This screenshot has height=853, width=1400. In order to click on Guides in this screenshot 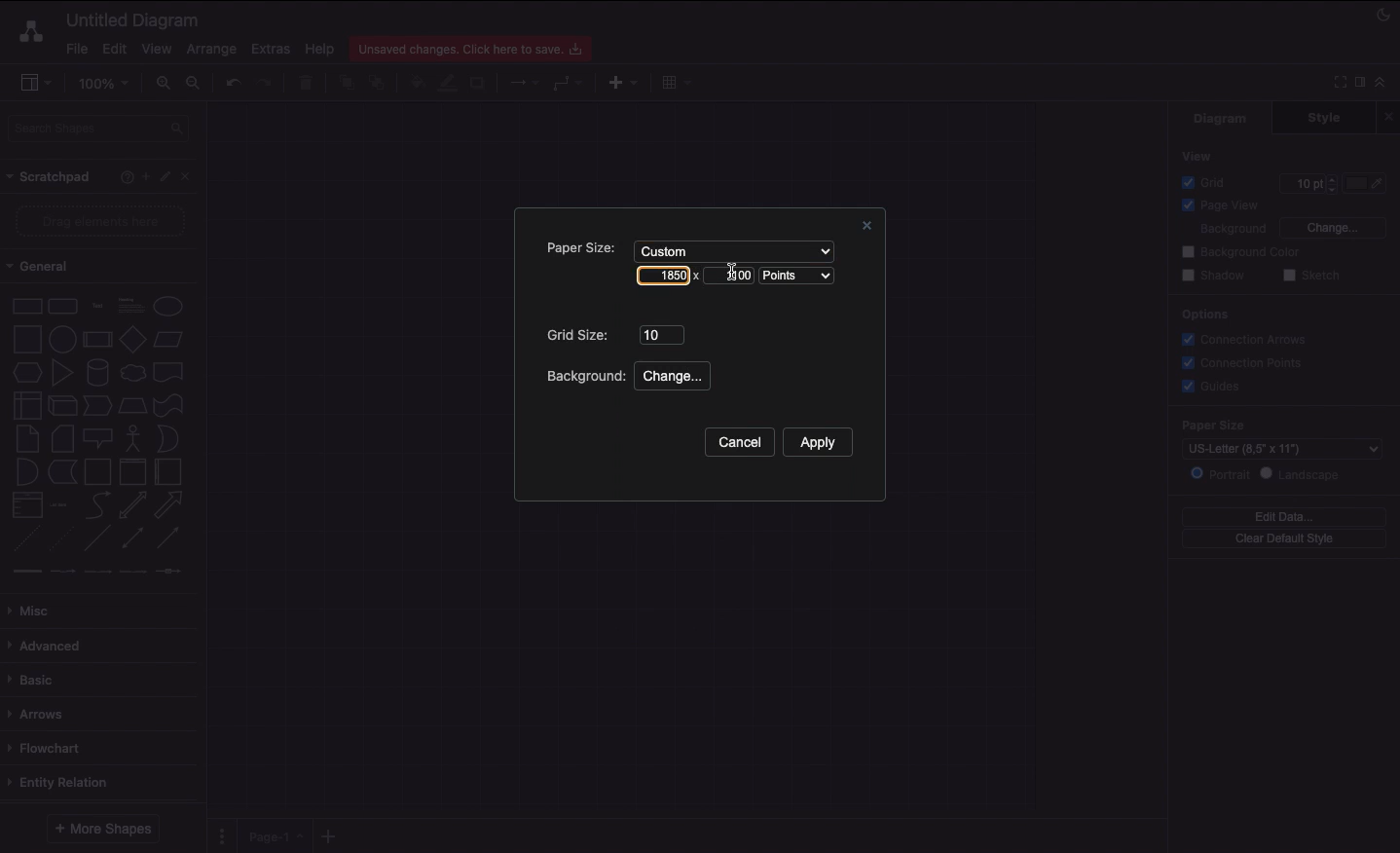, I will do `click(1214, 388)`.